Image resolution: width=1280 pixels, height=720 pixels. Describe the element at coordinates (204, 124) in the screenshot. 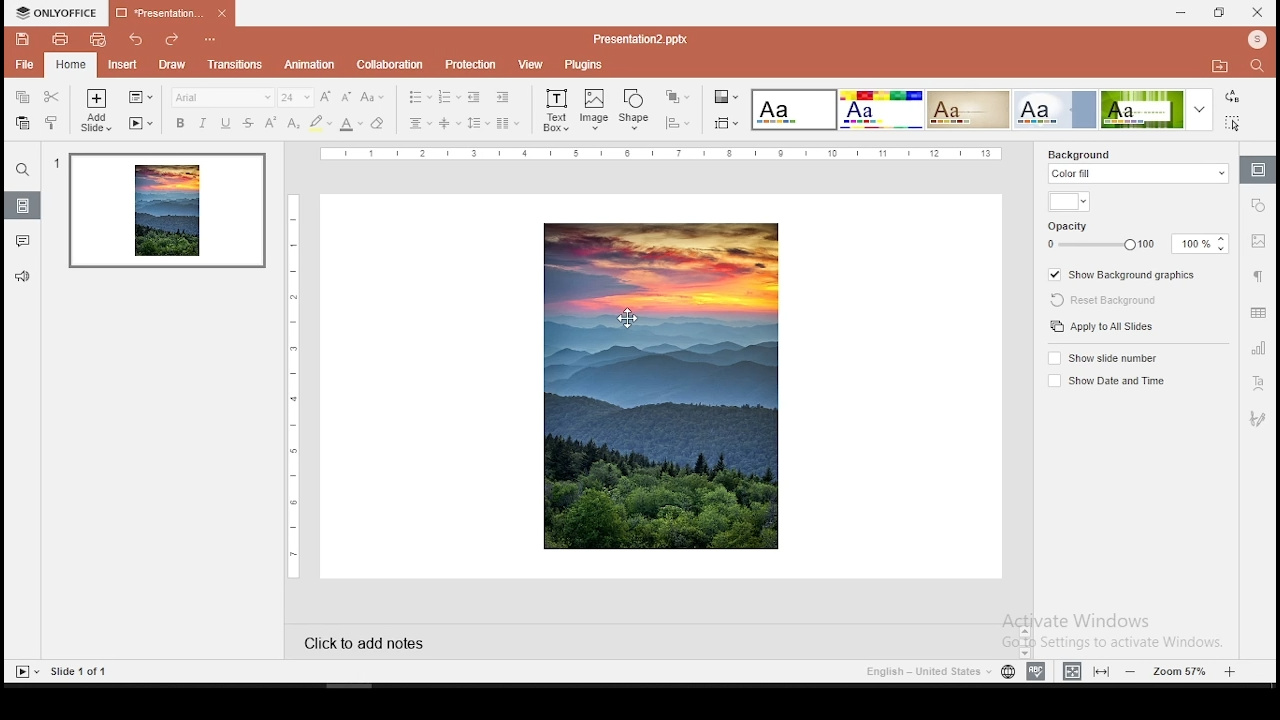

I see `italics` at that location.